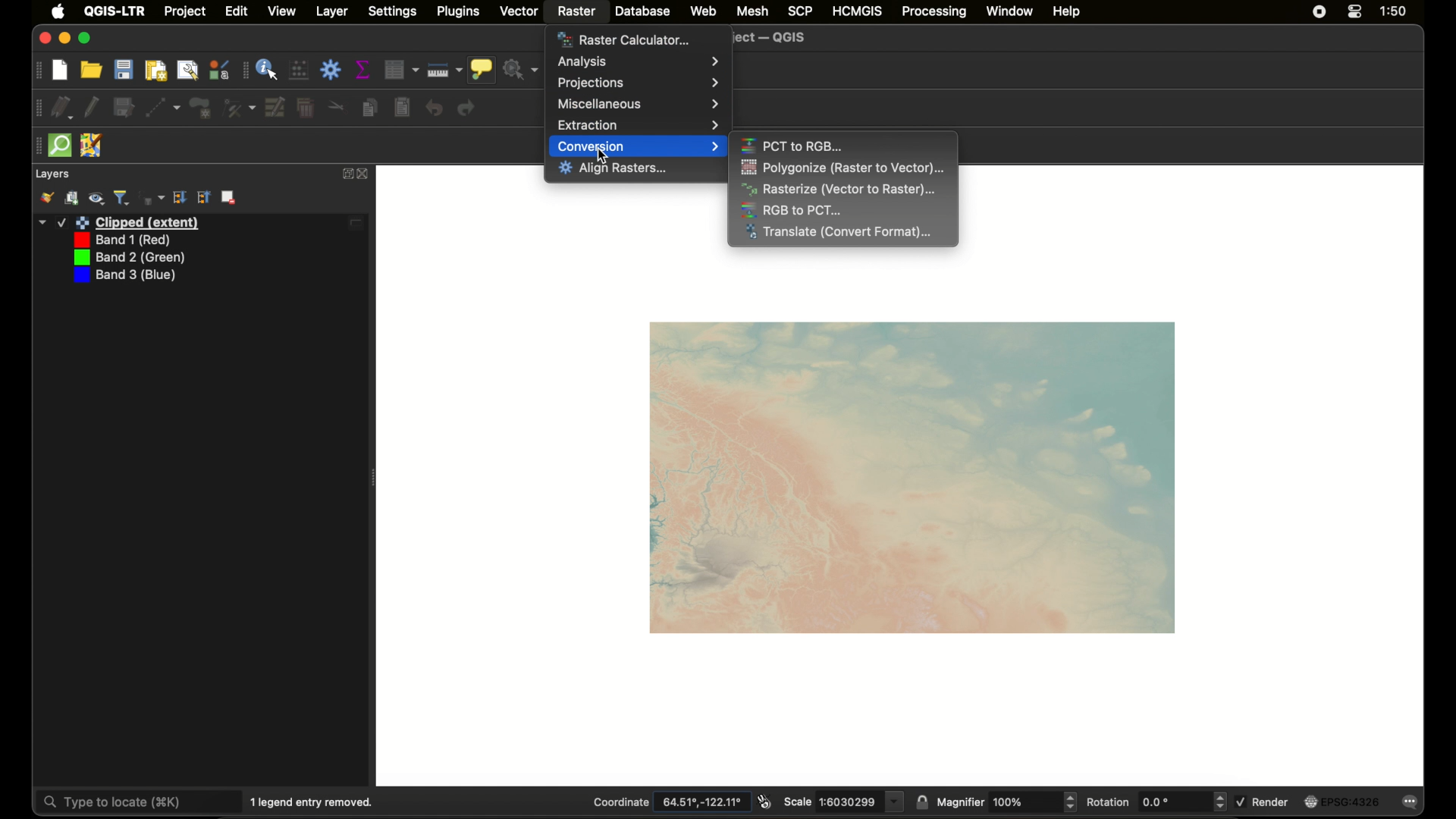  Describe the element at coordinates (1006, 802) in the screenshot. I see `magnifier` at that location.